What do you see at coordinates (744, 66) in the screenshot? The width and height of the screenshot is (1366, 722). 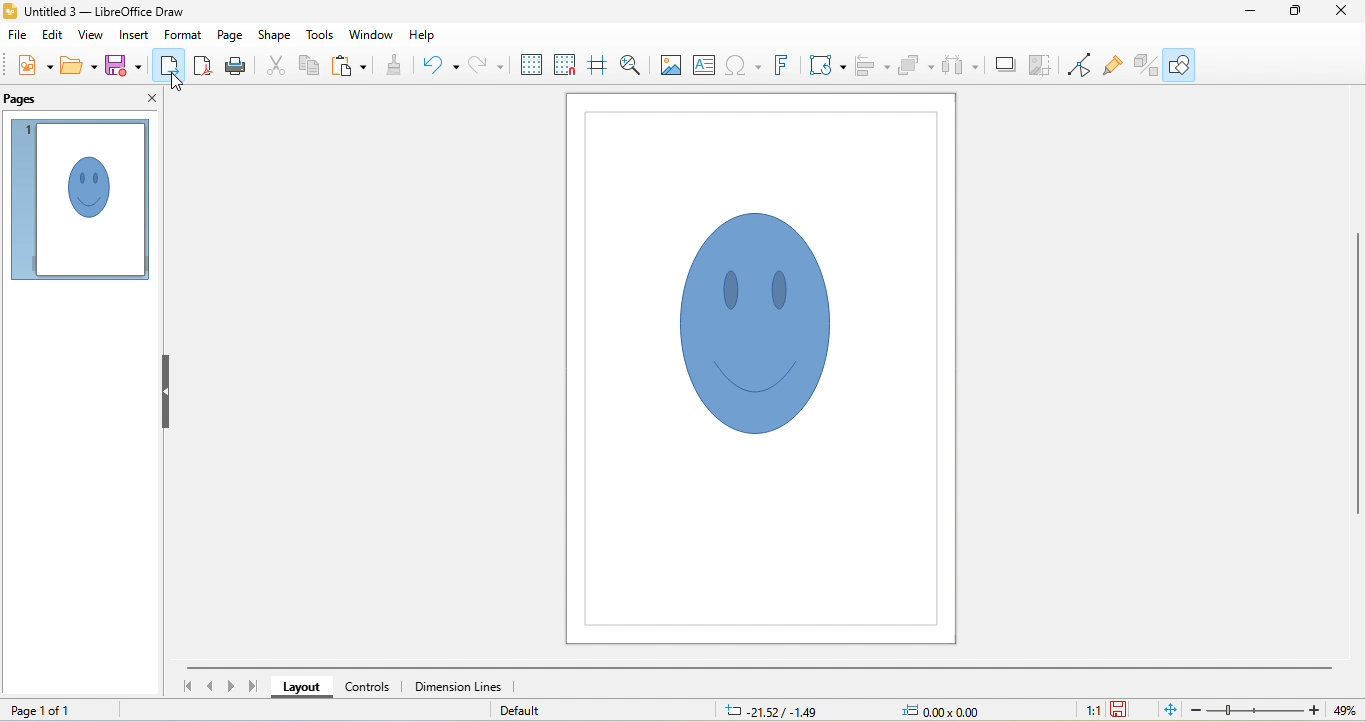 I see `insert special characters` at bounding box center [744, 66].